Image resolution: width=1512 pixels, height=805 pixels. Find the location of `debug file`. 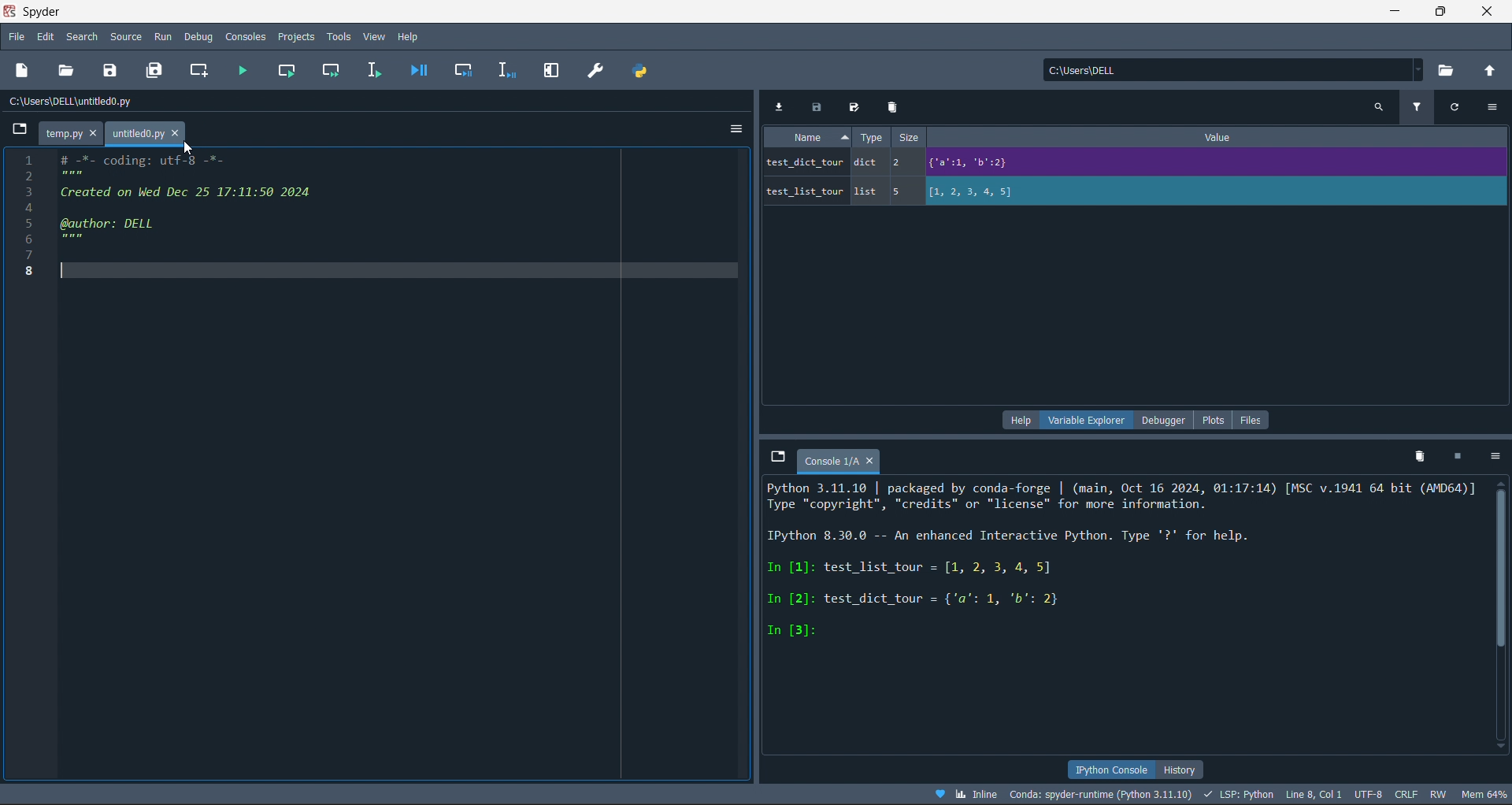

debug file is located at coordinates (418, 69).